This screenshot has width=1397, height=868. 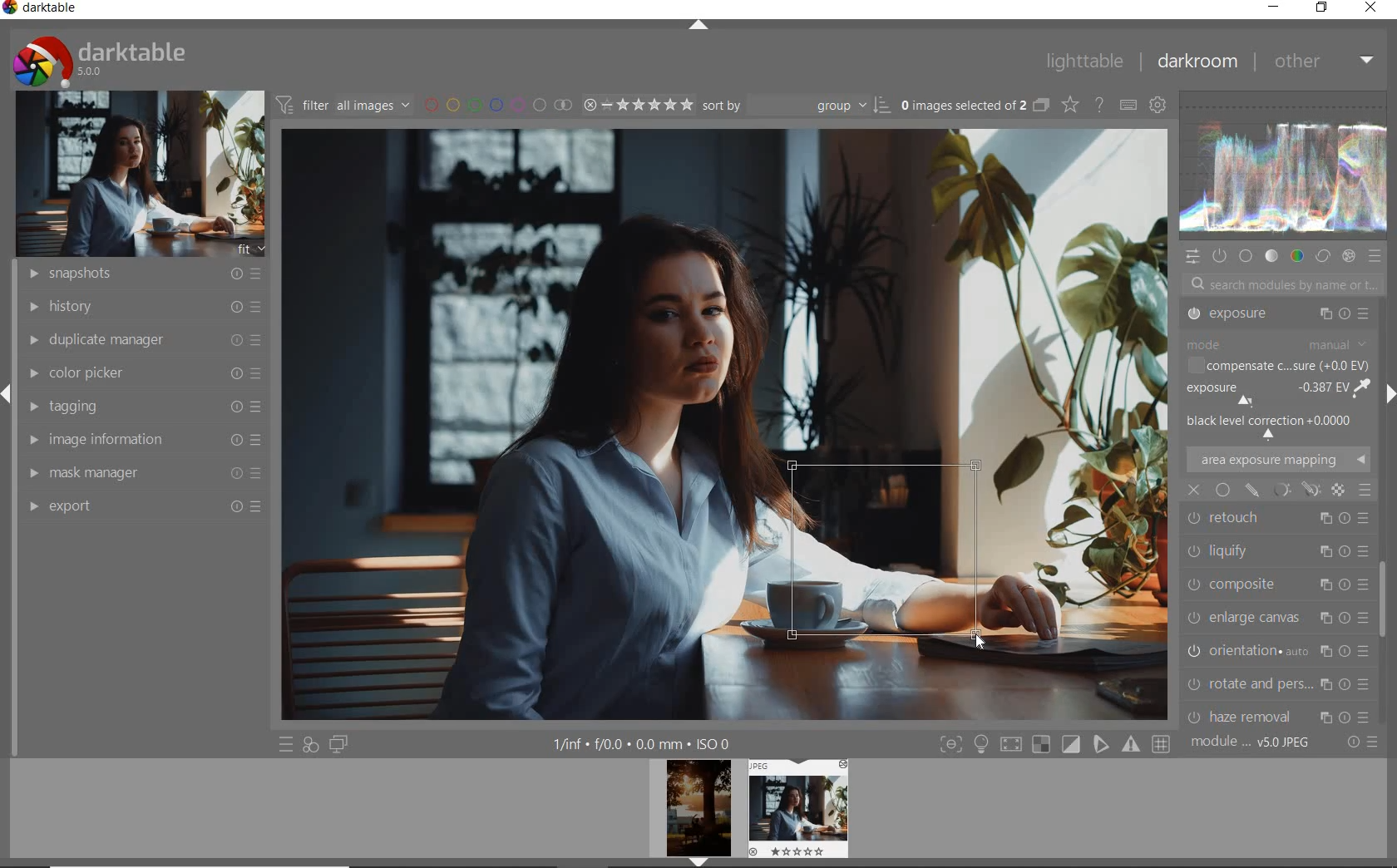 I want to click on EXPAND/COLLAPSE, so click(x=699, y=26).